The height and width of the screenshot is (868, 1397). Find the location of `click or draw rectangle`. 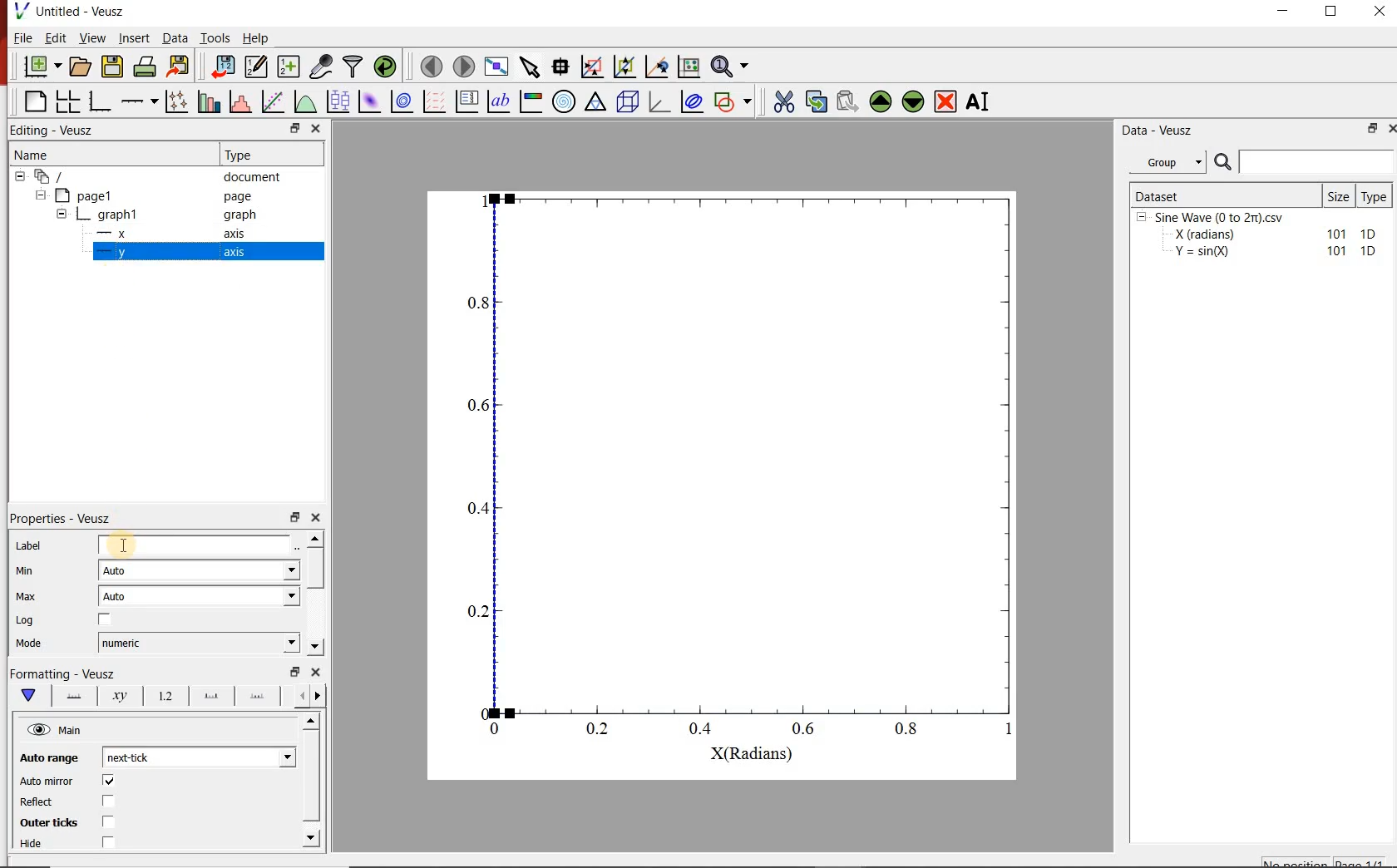

click or draw rectangle is located at coordinates (592, 65).